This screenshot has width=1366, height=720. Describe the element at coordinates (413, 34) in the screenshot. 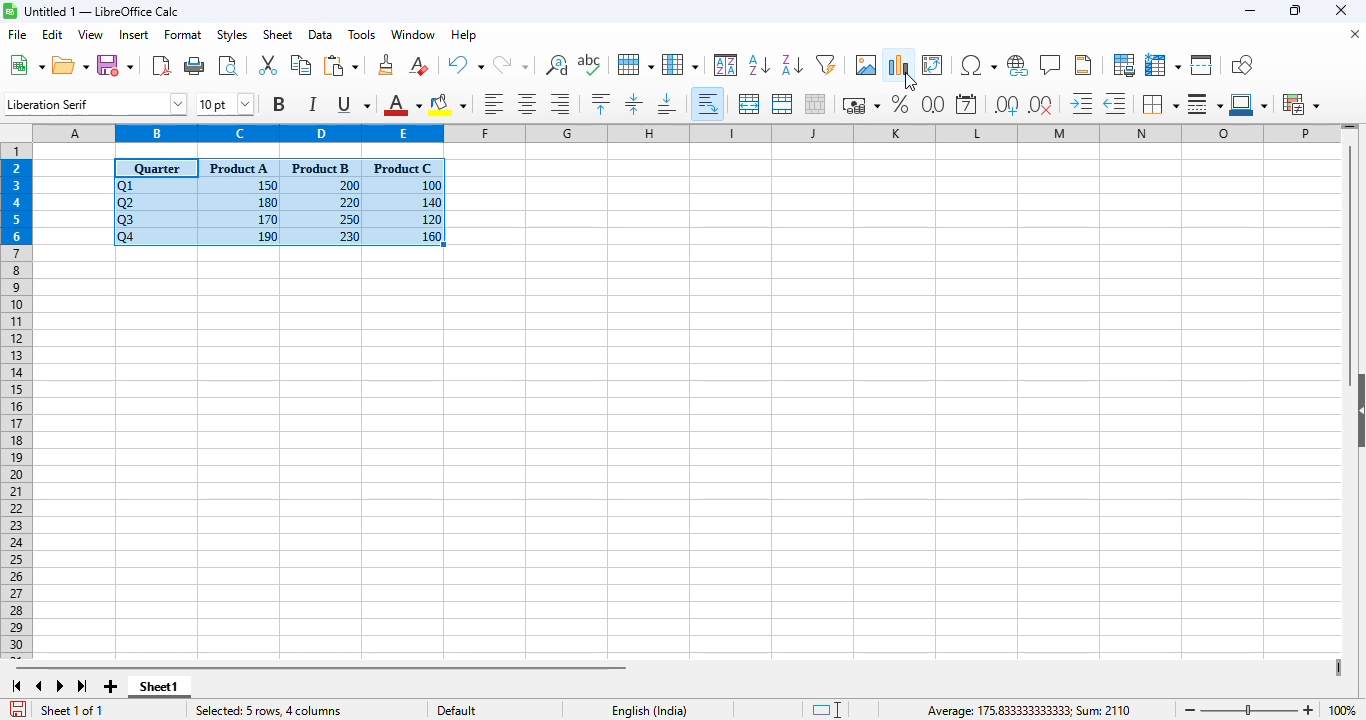

I see `window` at that location.